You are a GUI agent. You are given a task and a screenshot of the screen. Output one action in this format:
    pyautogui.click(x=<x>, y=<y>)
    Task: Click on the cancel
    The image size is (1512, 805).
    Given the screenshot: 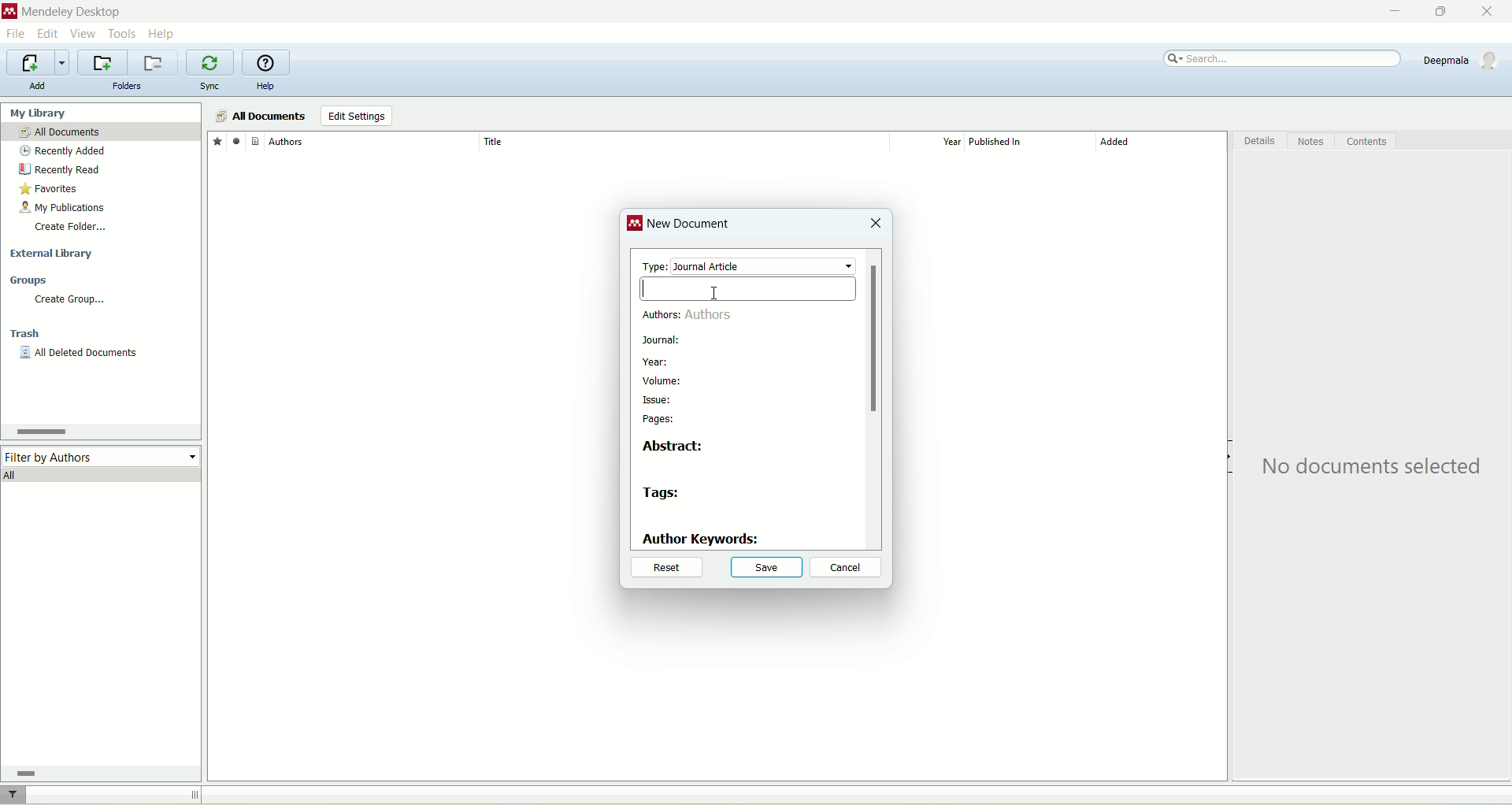 What is the action you would take?
    pyautogui.click(x=847, y=568)
    